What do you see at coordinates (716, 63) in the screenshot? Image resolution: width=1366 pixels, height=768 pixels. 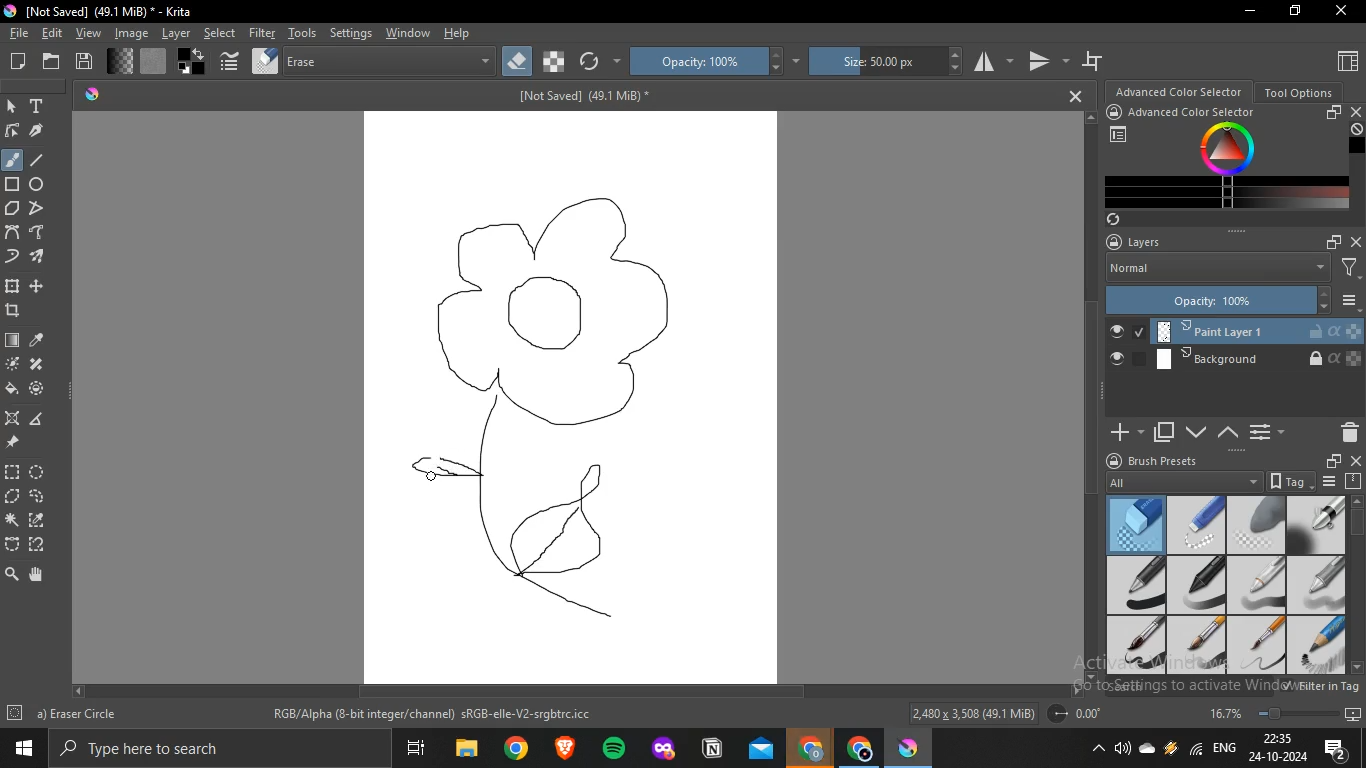 I see `opacity` at bounding box center [716, 63].